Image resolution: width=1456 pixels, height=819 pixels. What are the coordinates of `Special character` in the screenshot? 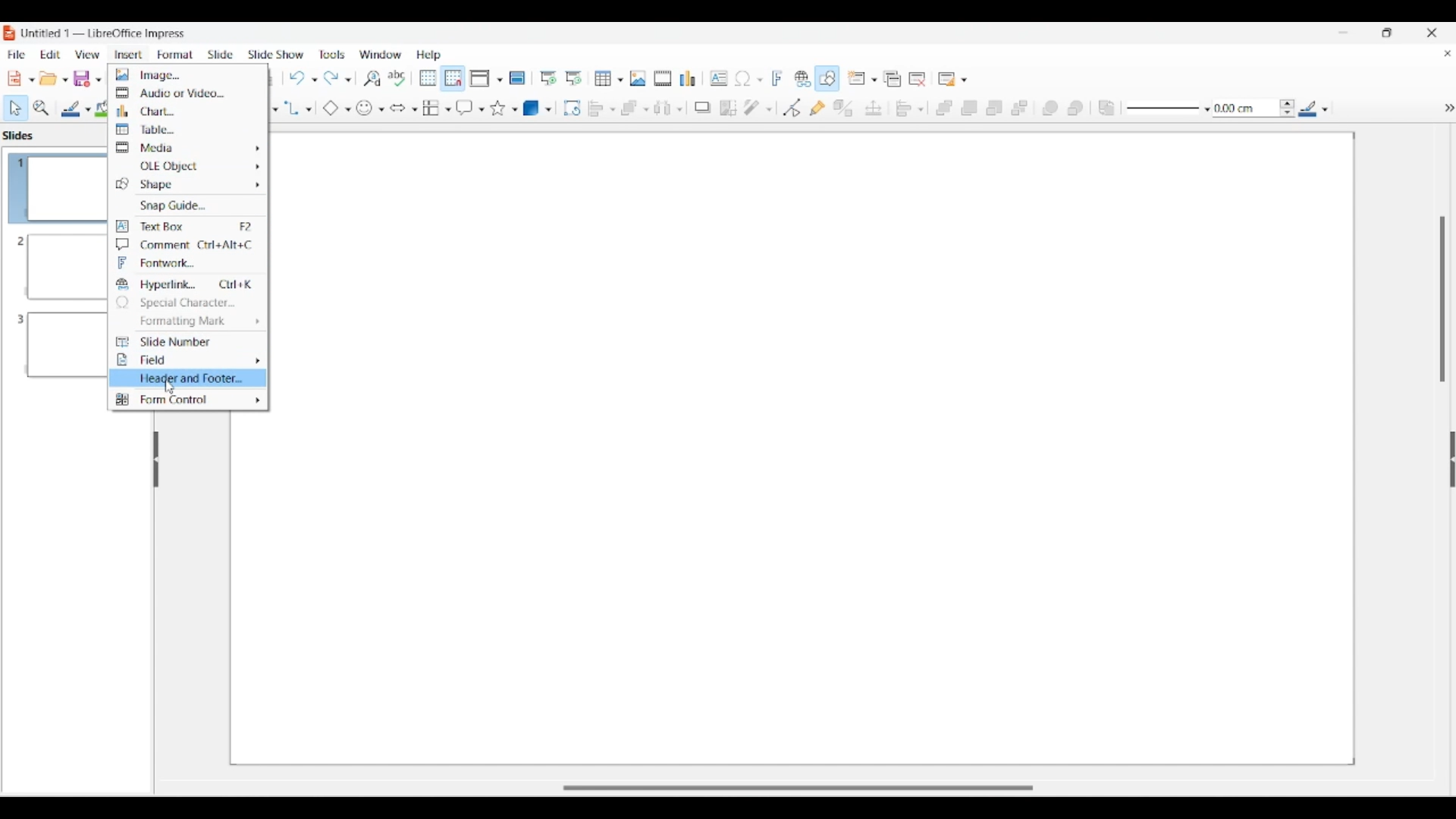 It's located at (188, 303).